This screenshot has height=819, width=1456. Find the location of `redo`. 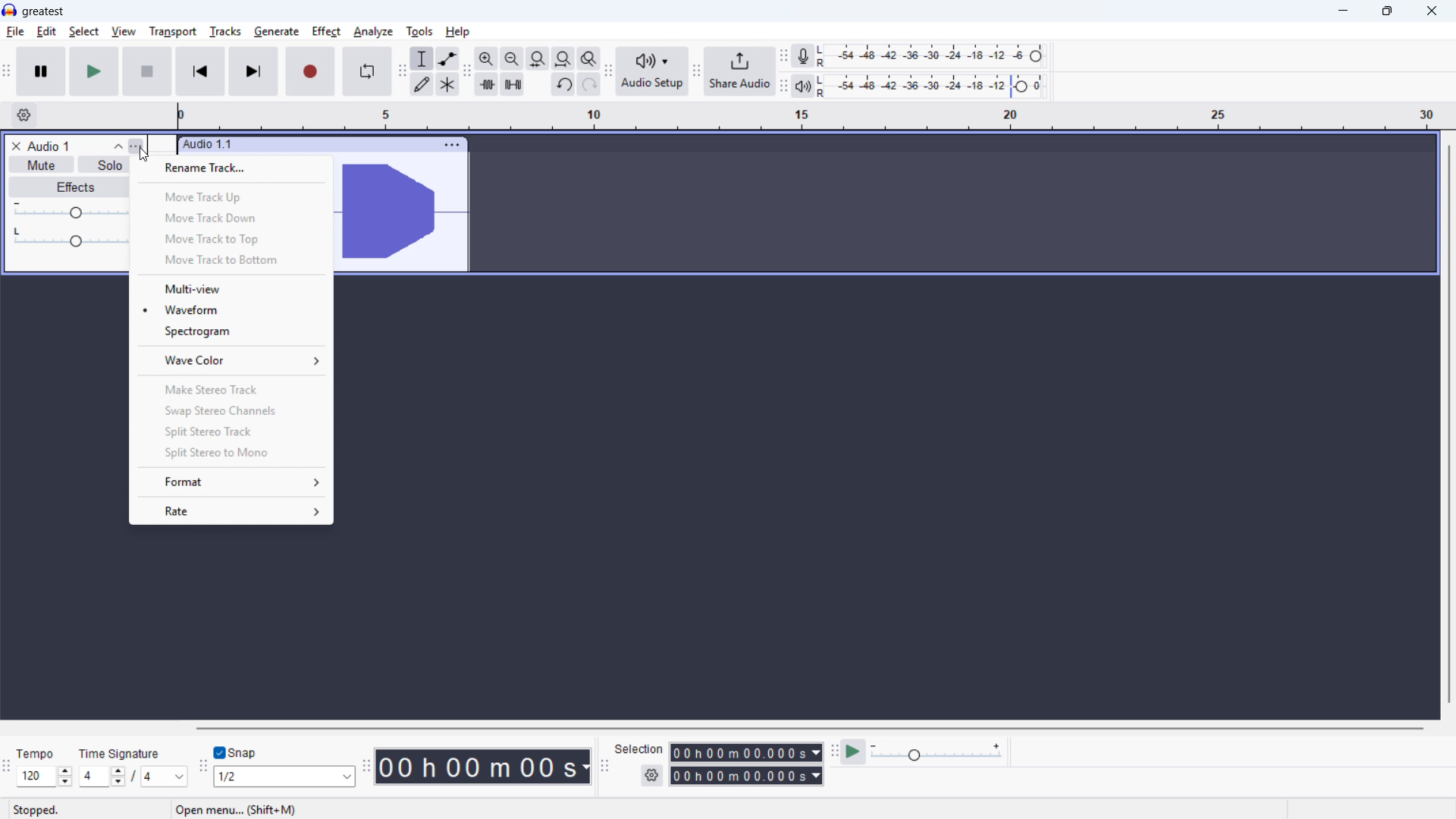

redo is located at coordinates (588, 85).